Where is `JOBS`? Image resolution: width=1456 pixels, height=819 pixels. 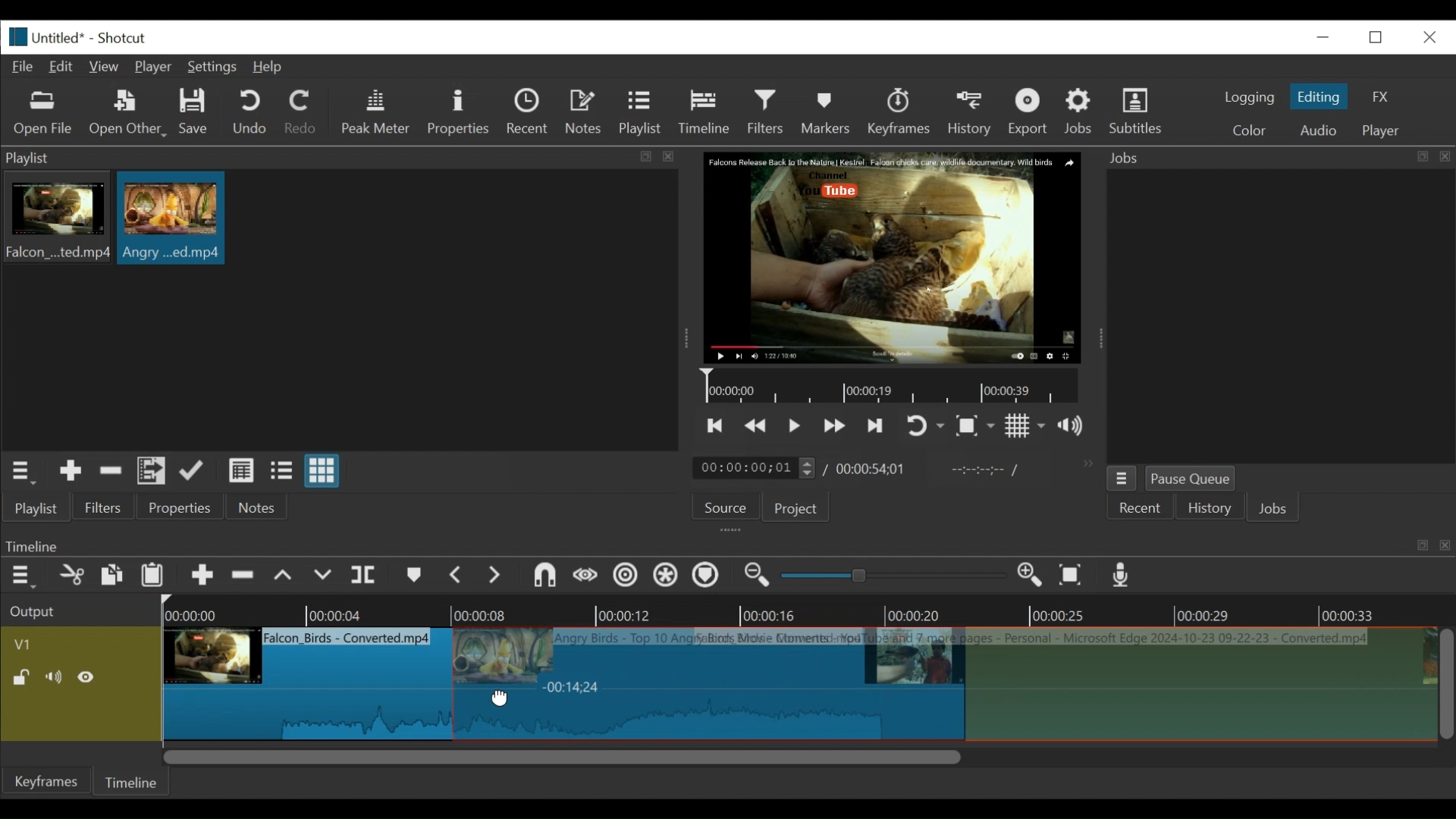 JOBS is located at coordinates (1275, 510).